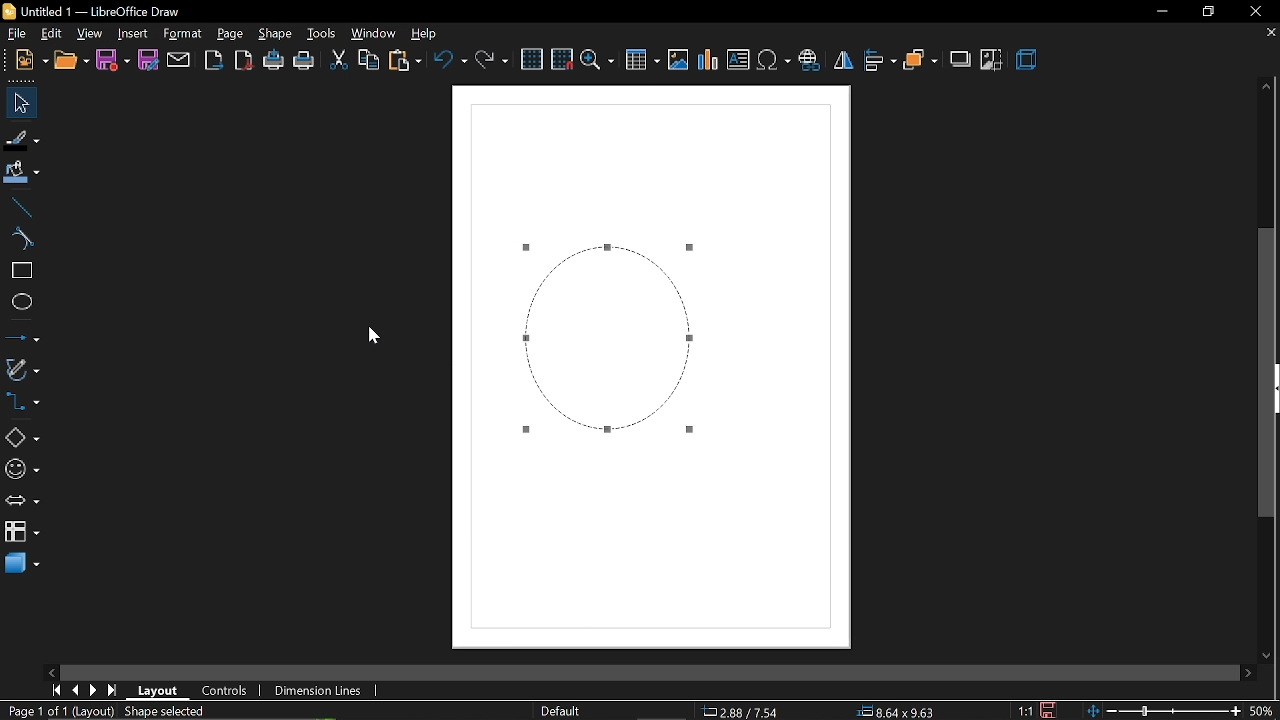 This screenshot has height=720, width=1280. What do you see at coordinates (1183, 711) in the screenshot?
I see `zoom change` at bounding box center [1183, 711].